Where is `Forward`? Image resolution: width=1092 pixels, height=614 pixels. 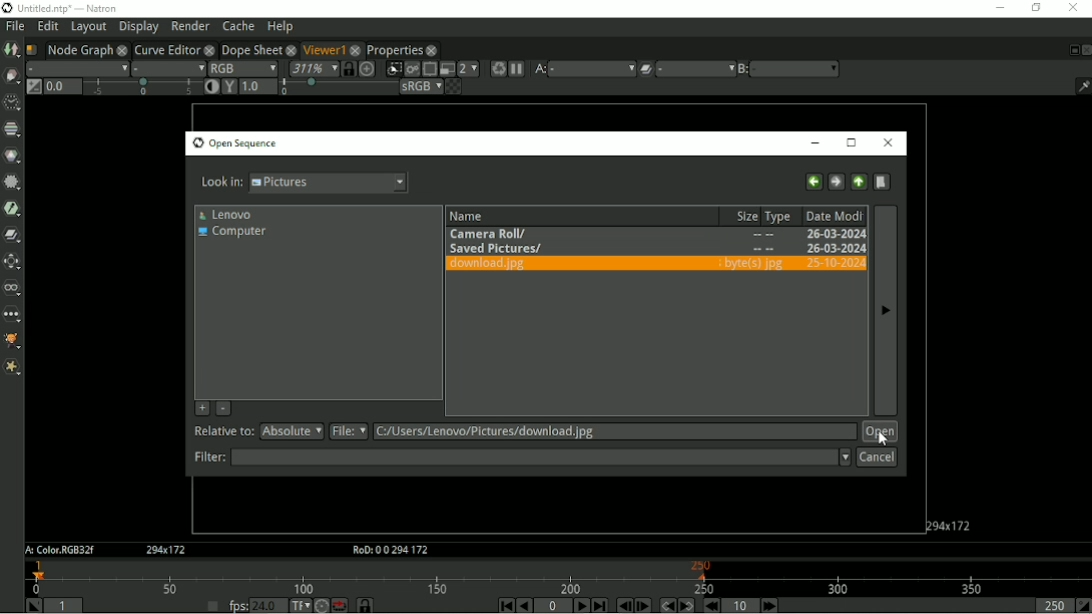
Forward is located at coordinates (836, 182).